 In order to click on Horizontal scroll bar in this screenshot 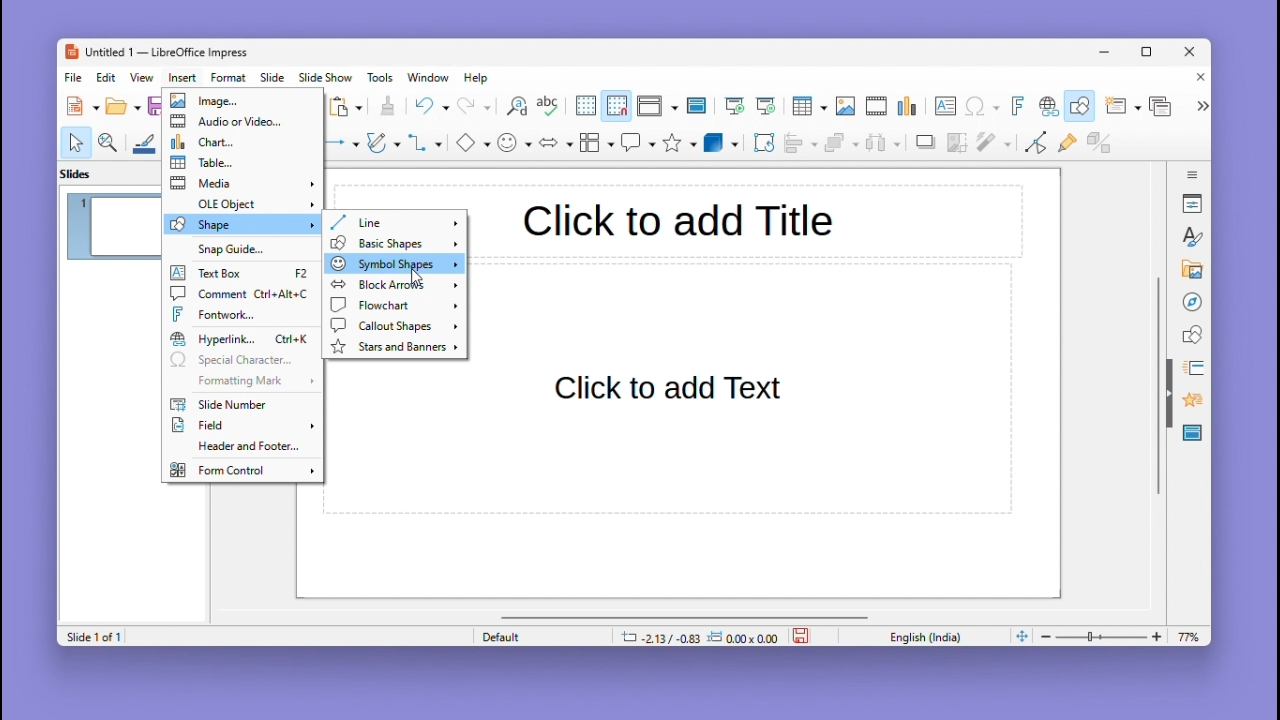, I will do `click(685, 616)`.